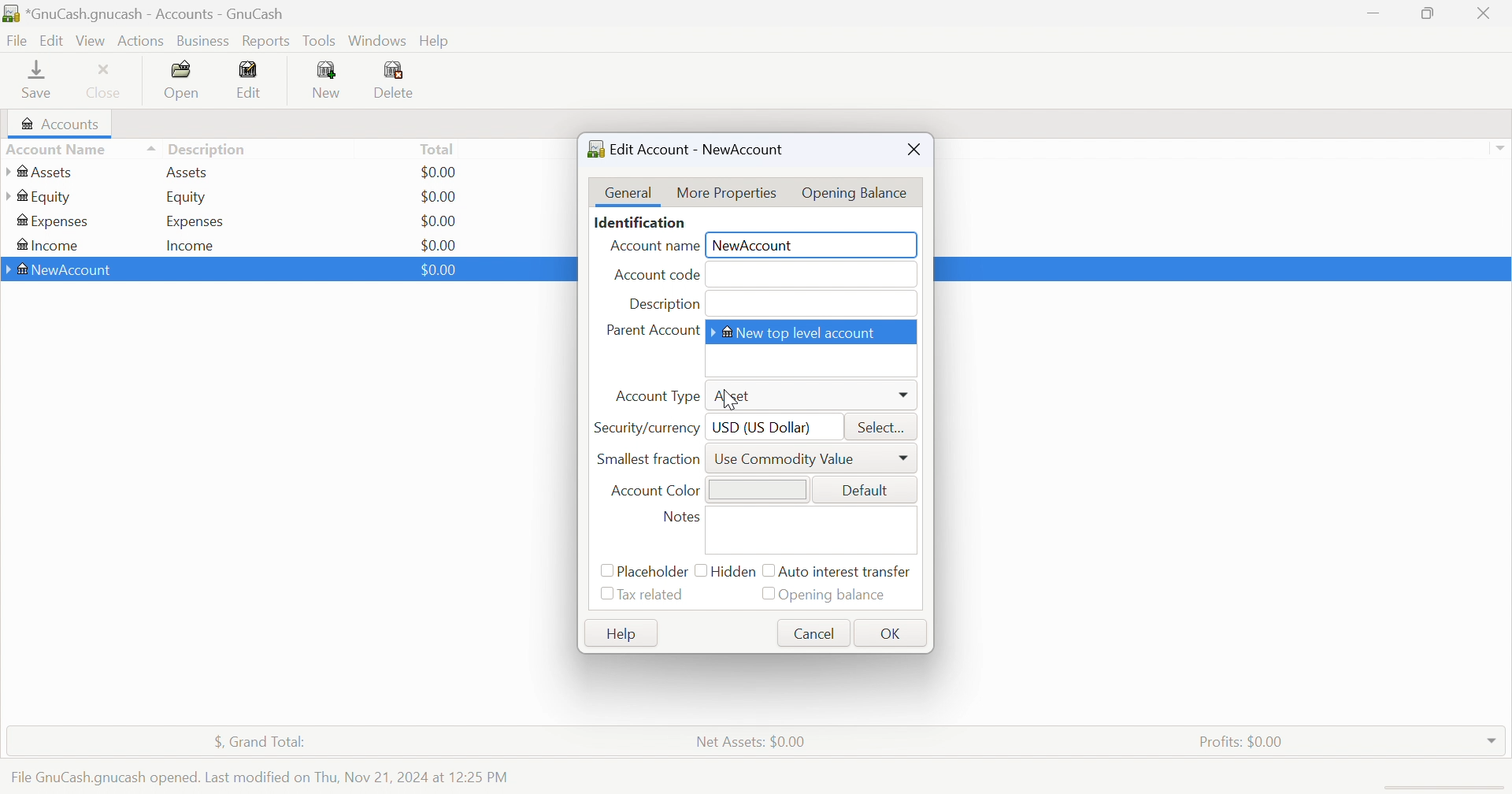 The width and height of the screenshot is (1512, 794). I want to click on Opening Balance, so click(857, 193).